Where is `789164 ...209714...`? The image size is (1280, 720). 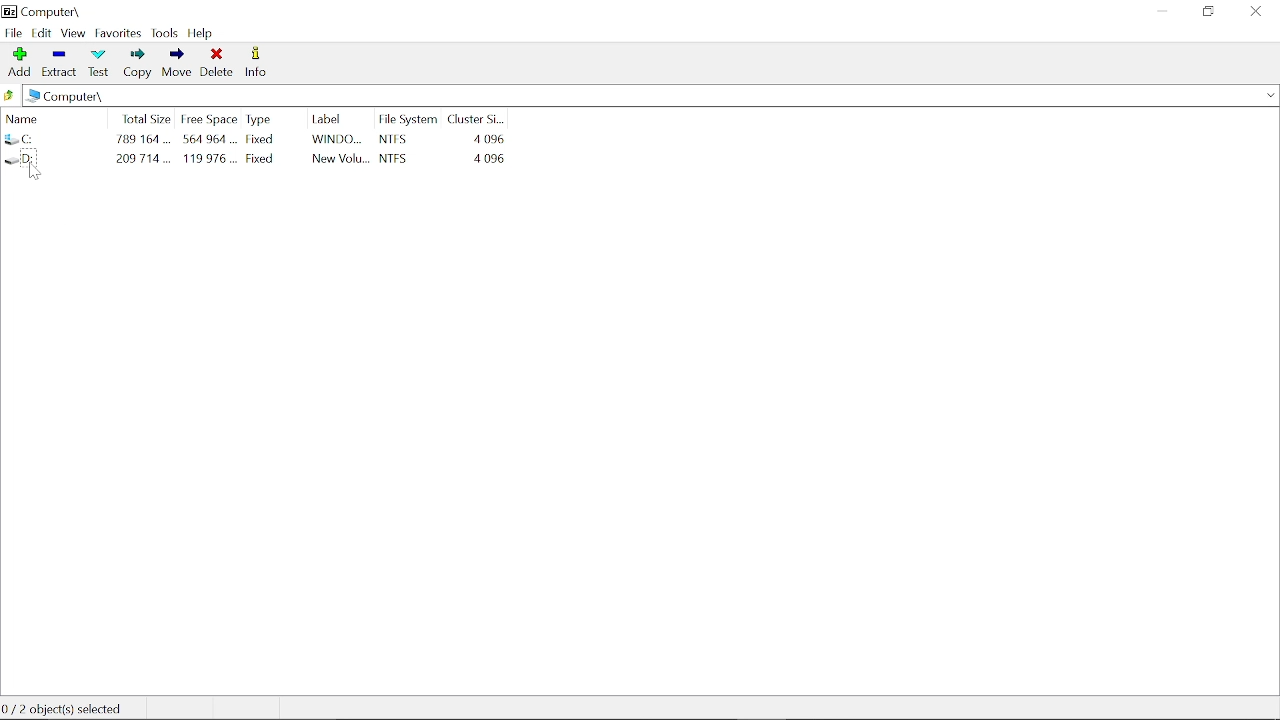
789164 ...209714... is located at coordinates (144, 150).